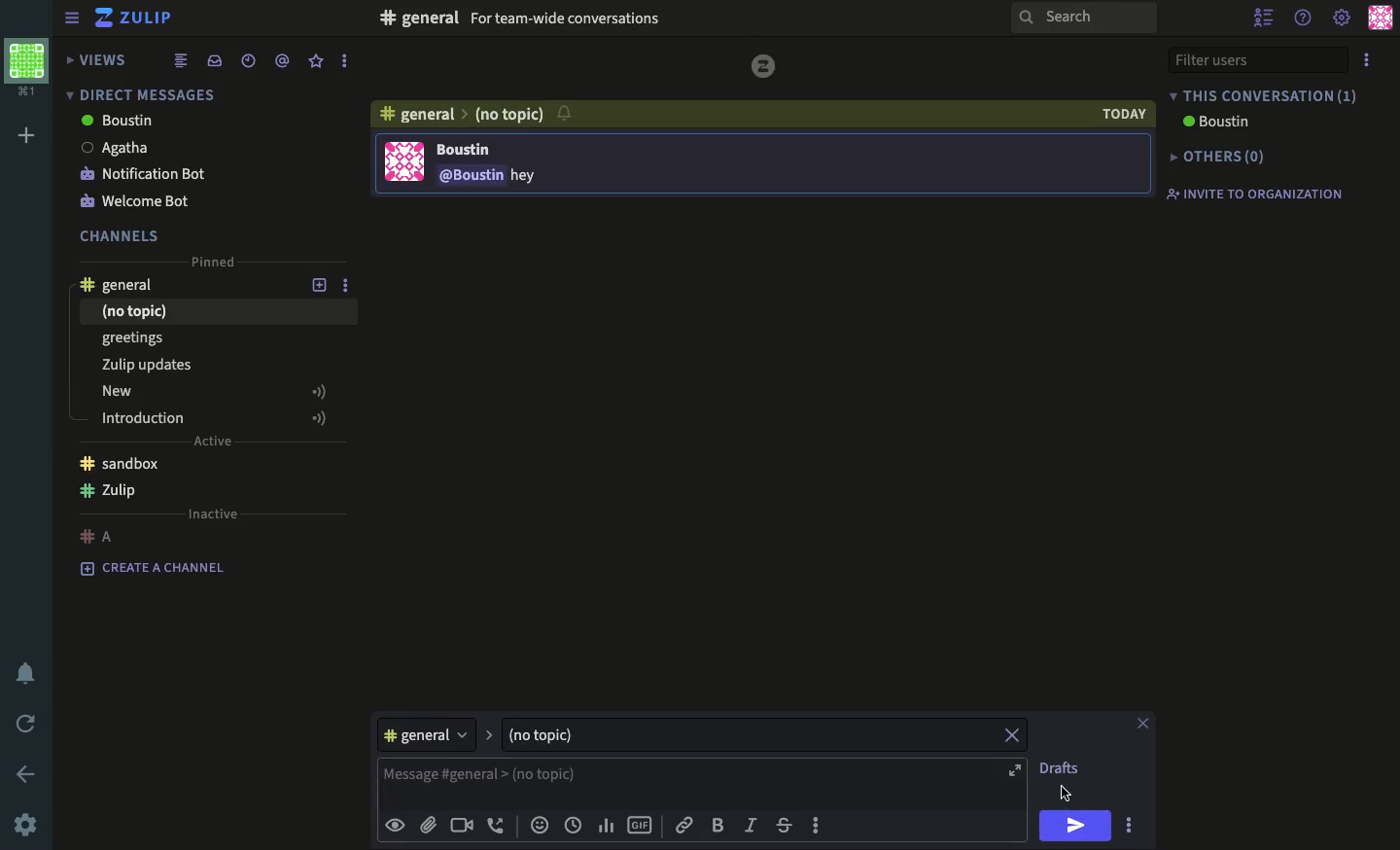 The image size is (1400, 850). What do you see at coordinates (512, 116) in the screenshot?
I see `no topic` at bounding box center [512, 116].